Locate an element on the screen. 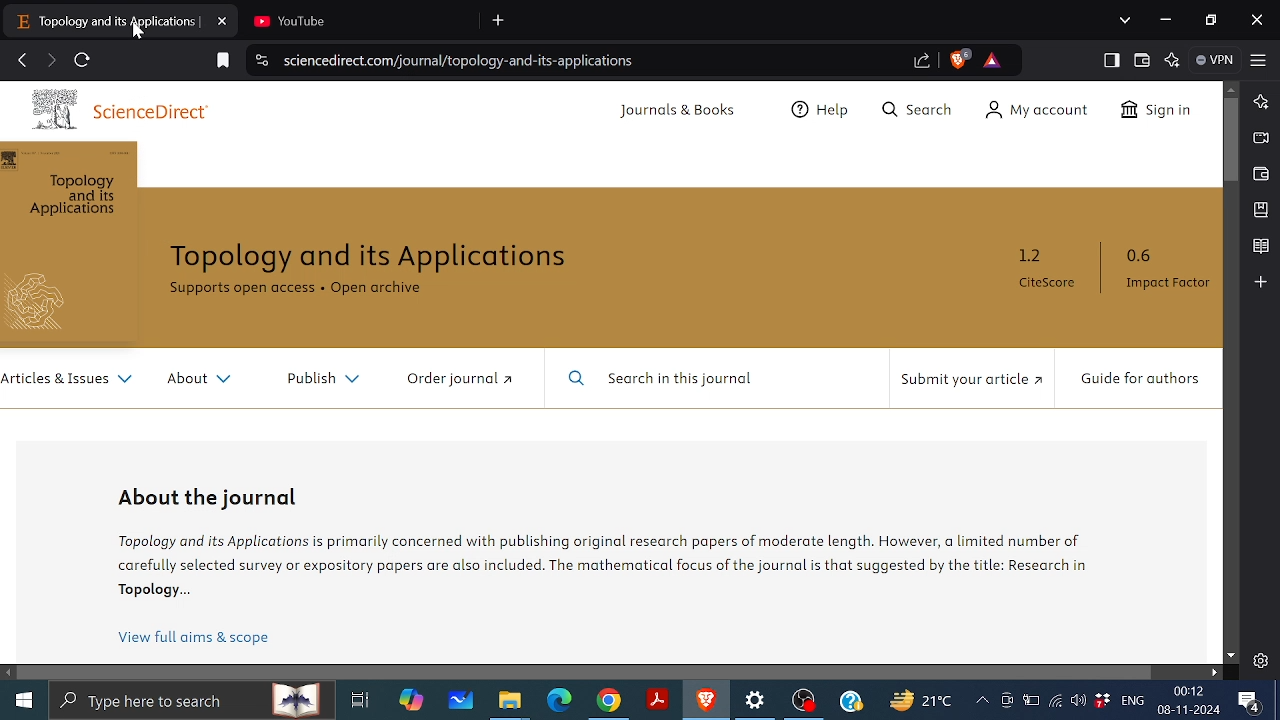  Whiteboard is located at coordinates (461, 700).